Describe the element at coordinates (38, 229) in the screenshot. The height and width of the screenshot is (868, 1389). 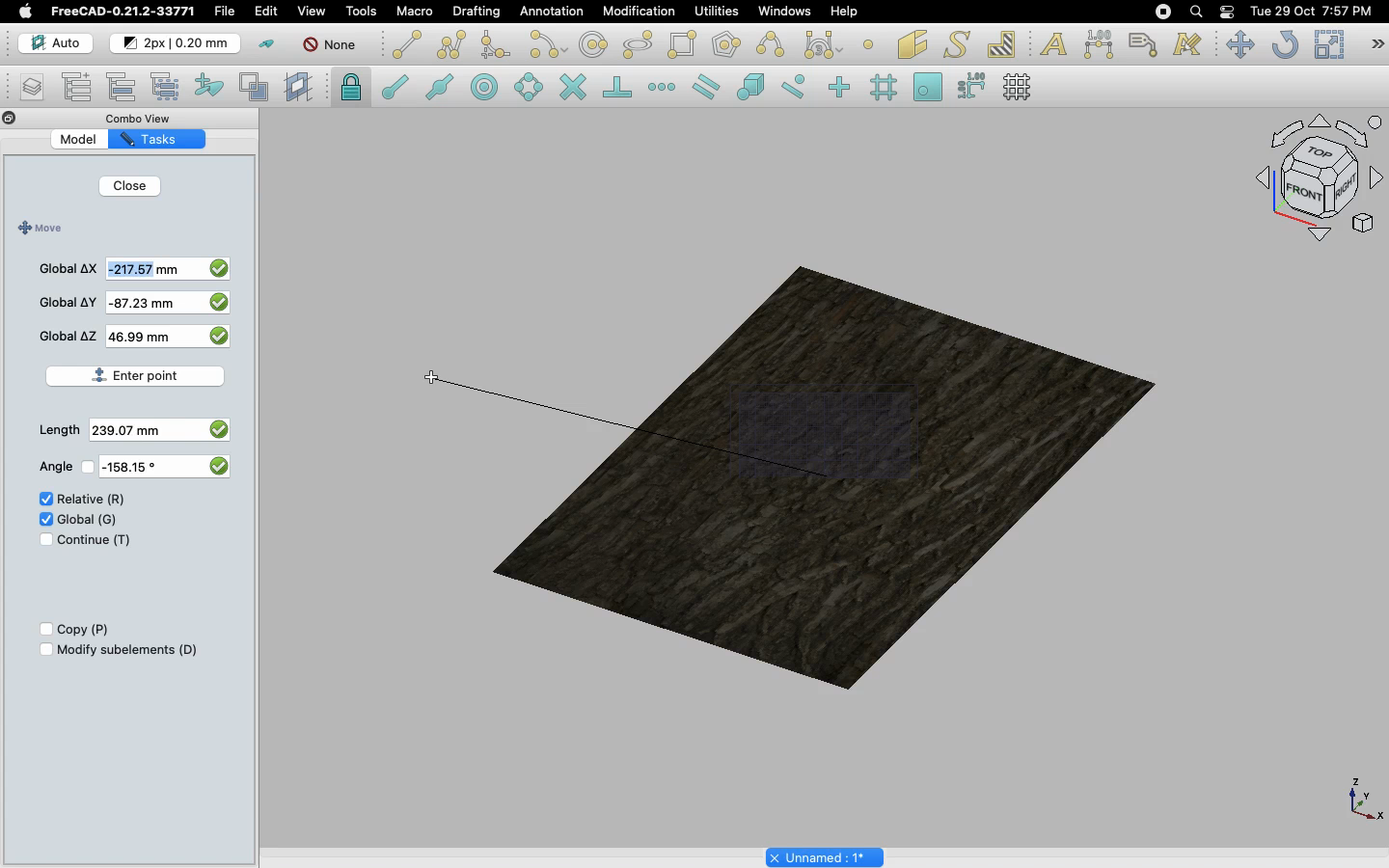
I see `Move` at that location.